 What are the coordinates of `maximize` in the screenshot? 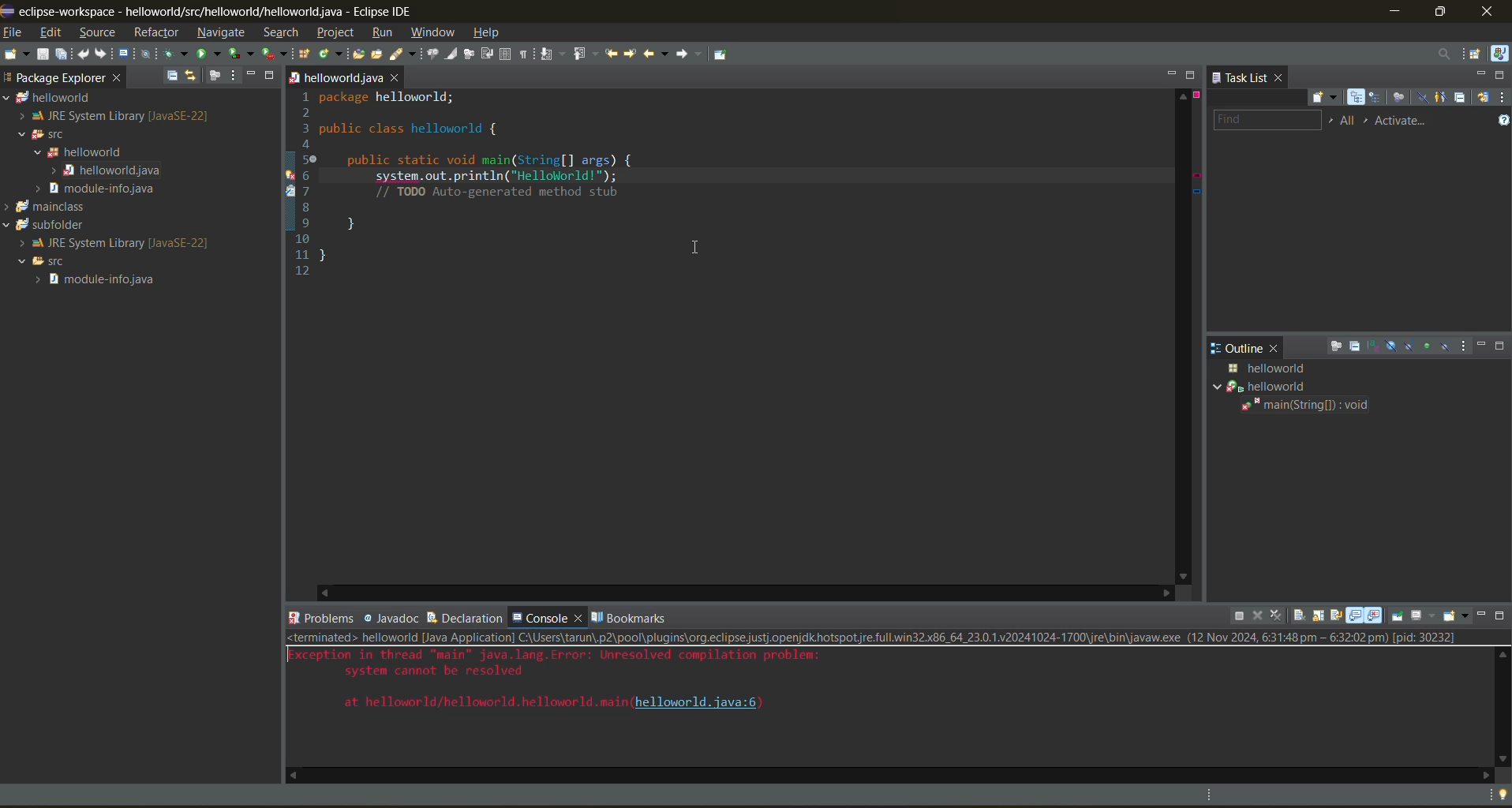 It's located at (1503, 77).